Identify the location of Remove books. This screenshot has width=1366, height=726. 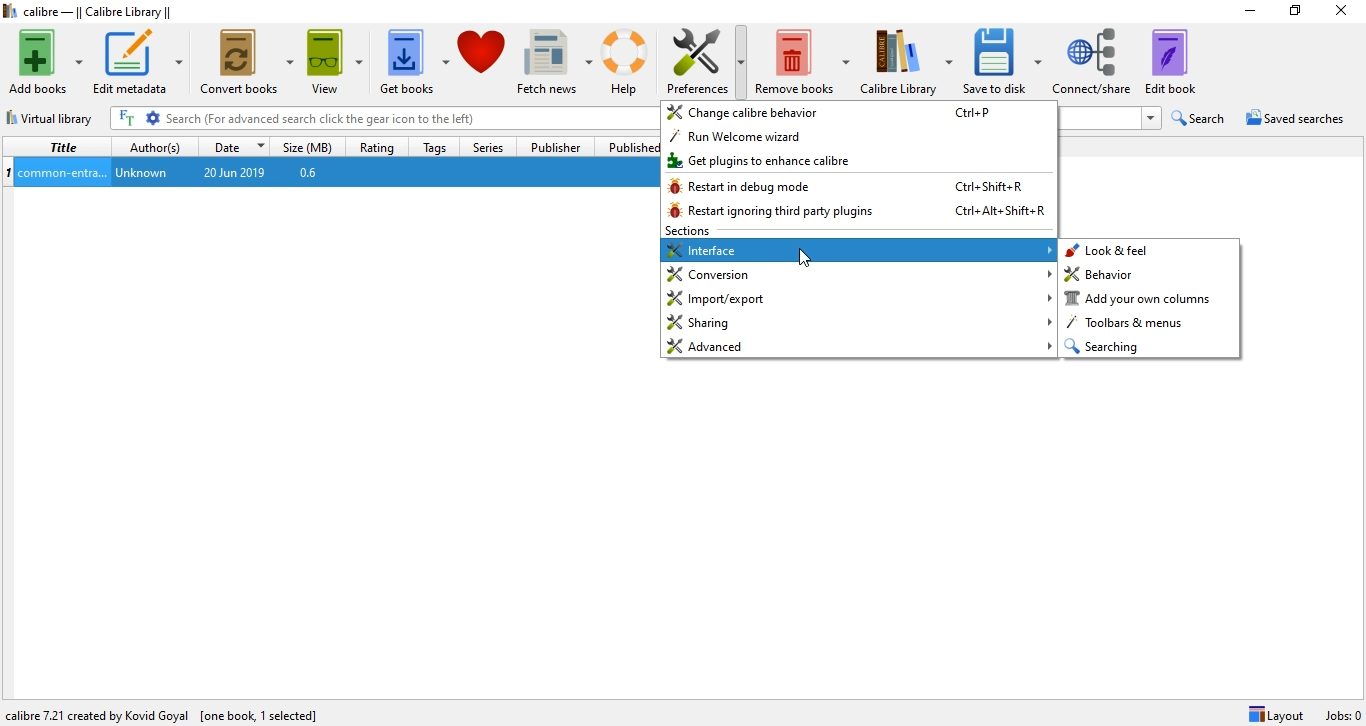
(805, 56).